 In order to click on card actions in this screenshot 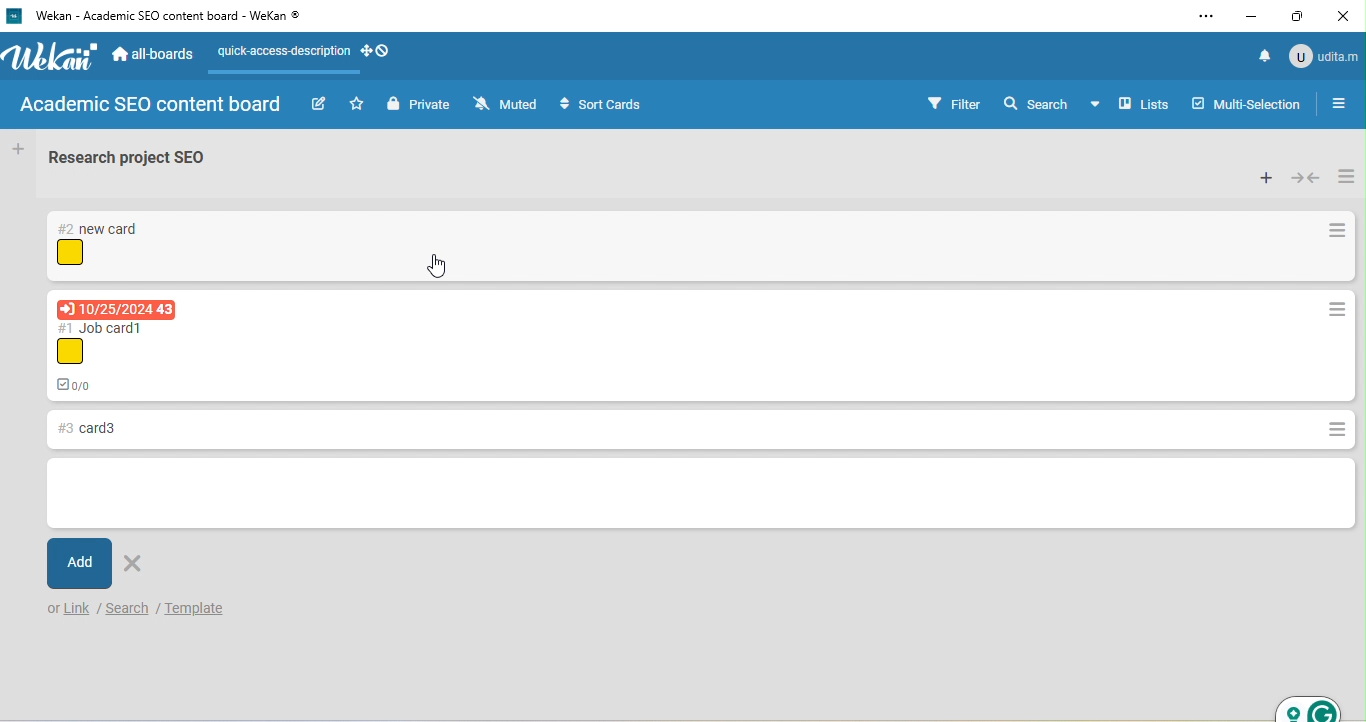, I will do `click(1338, 232)`.